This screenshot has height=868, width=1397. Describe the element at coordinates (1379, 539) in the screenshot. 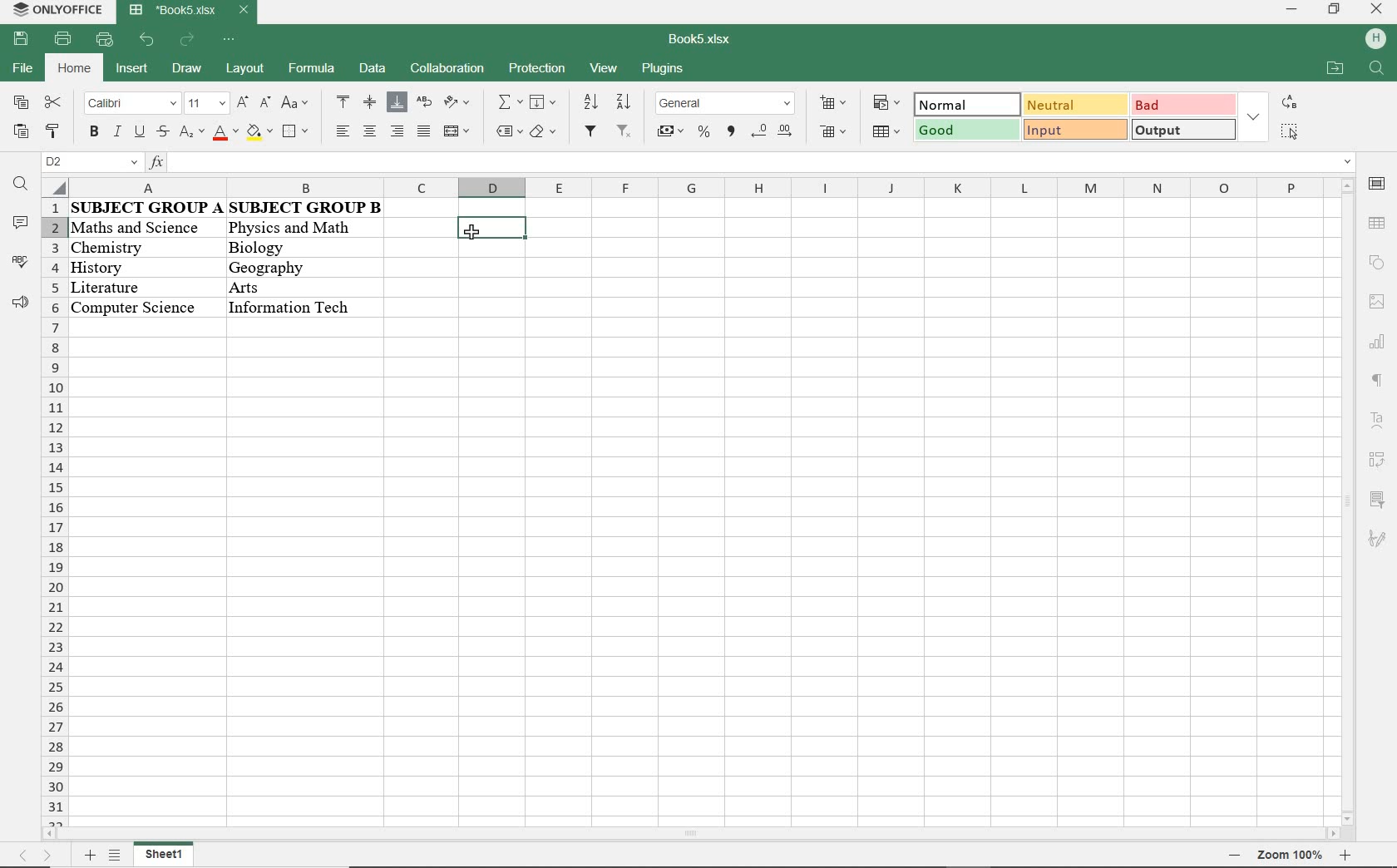

I see `sign` at that location.